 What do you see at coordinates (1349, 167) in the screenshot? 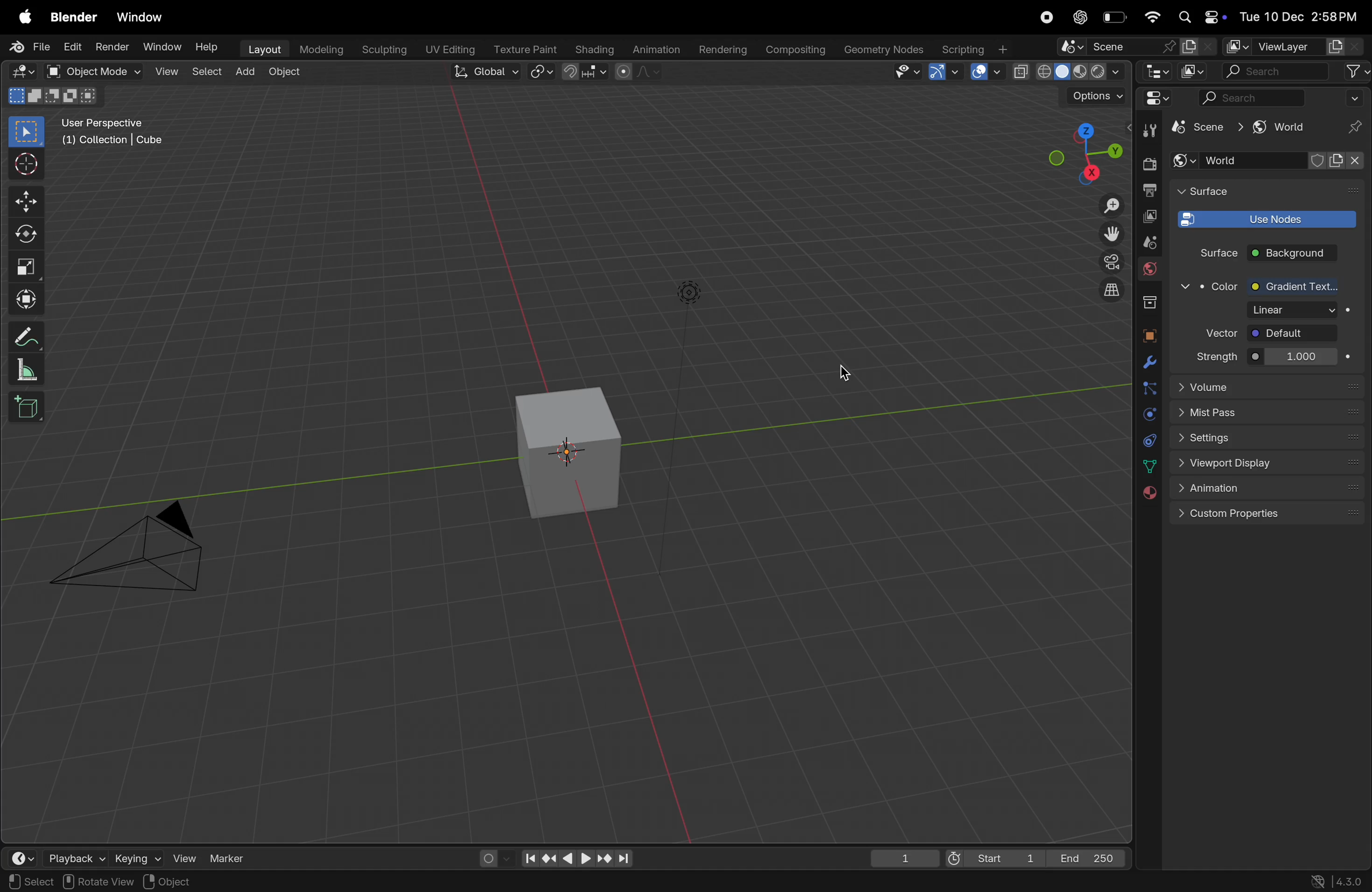
I see `close` at bounding box center [1349, 167].